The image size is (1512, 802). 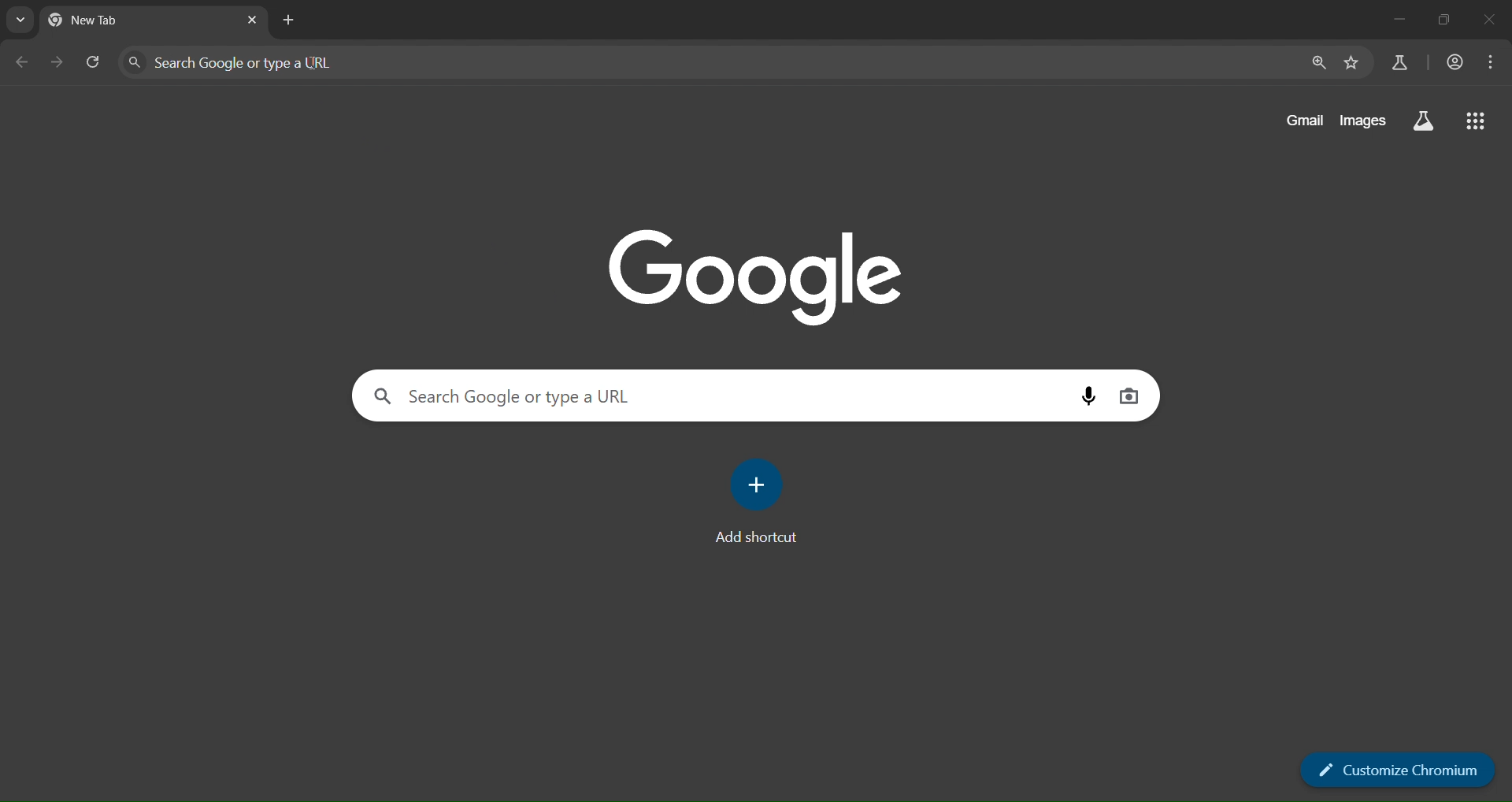 What do you see at coordinates (711, 394) in the screenshot?
I see `Search Google or type a URL` at bounding box center [711, 394].